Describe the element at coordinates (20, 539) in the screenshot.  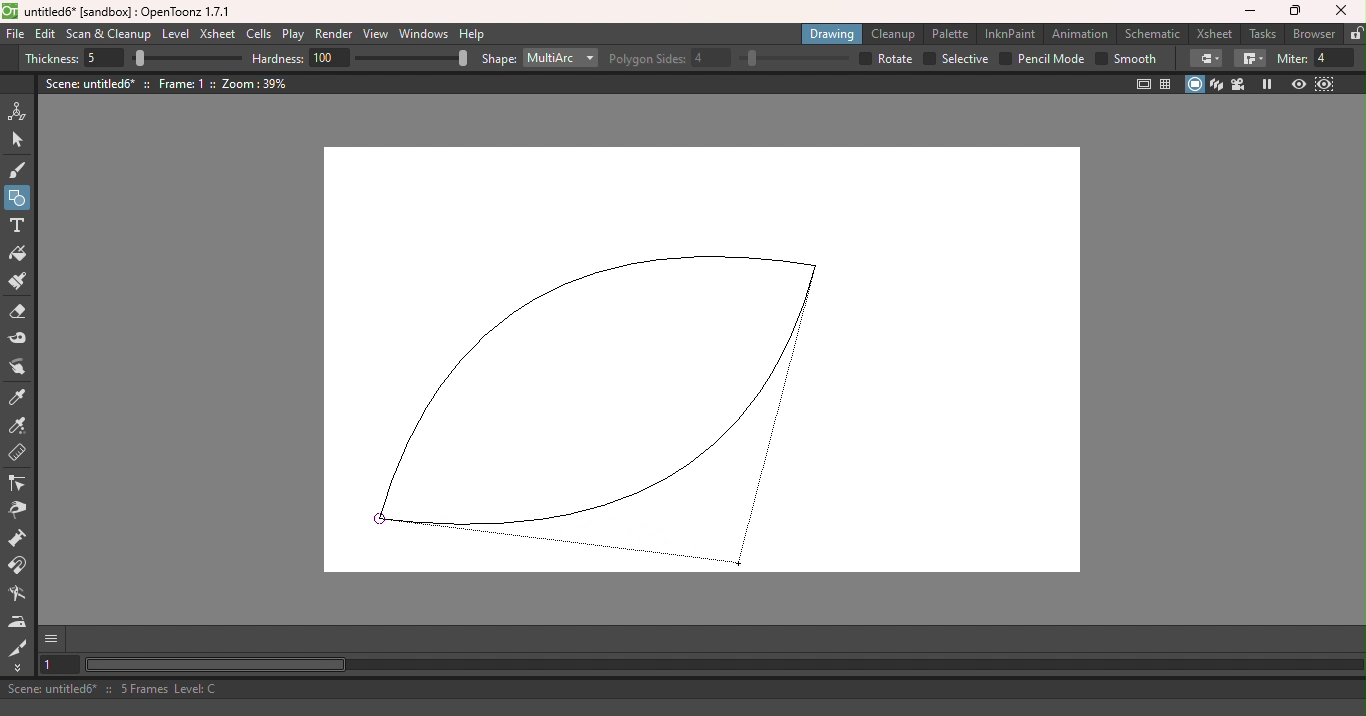
I see `Pump tool` at that location.